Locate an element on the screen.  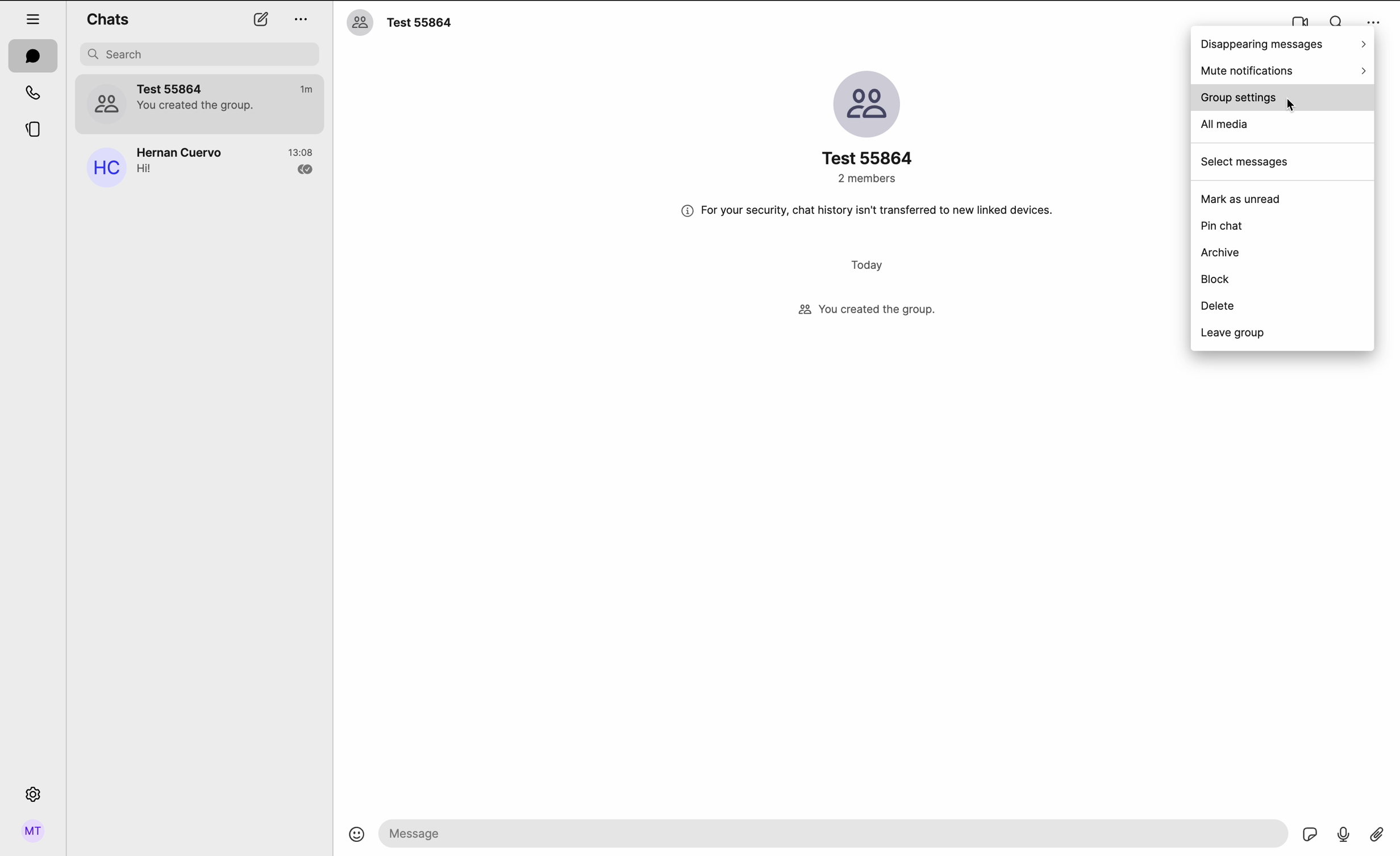
chat name is located at coordinates (399, 23).